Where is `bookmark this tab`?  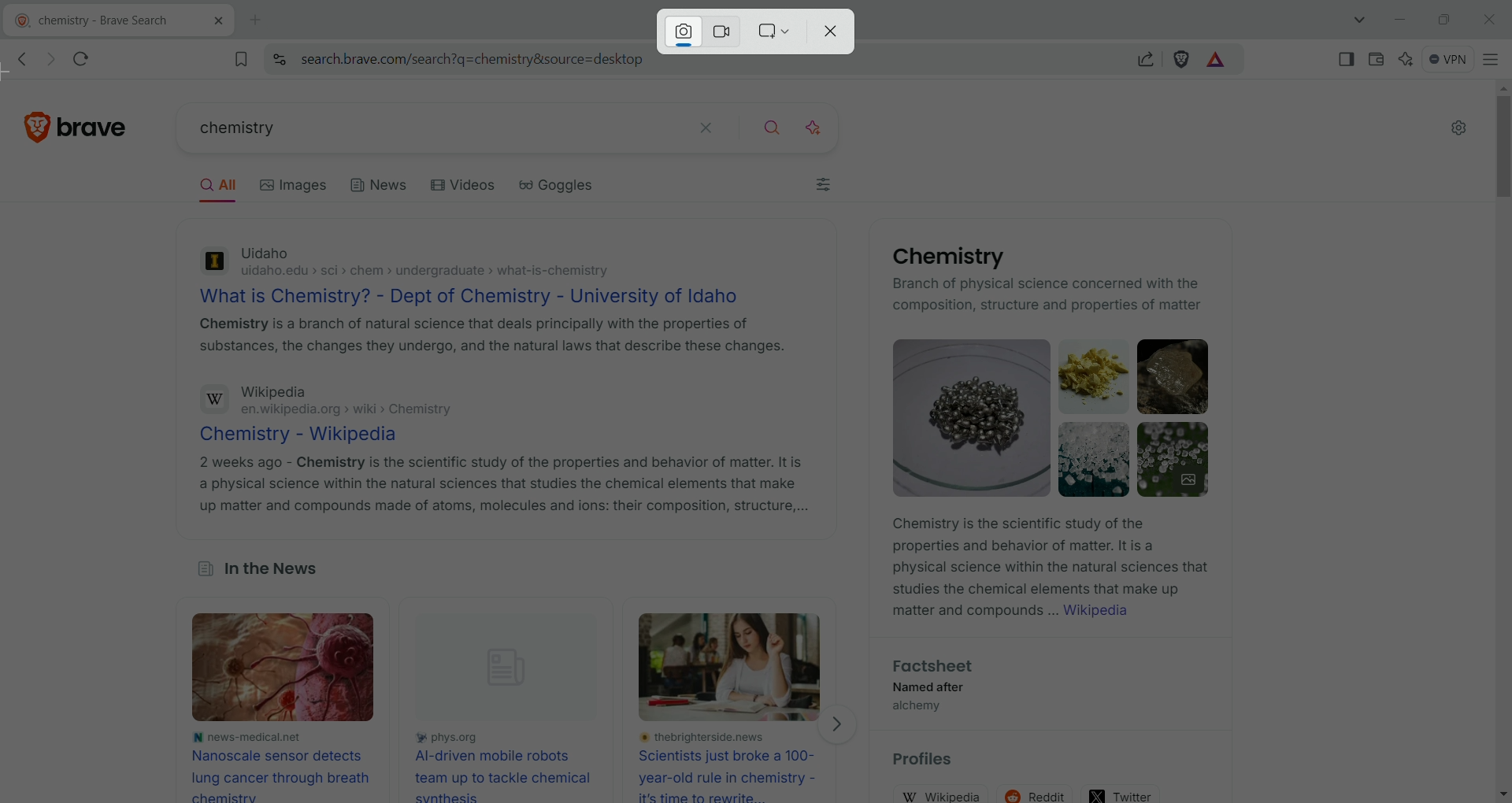
bookmark this tab is located at coordinates (242, 58).